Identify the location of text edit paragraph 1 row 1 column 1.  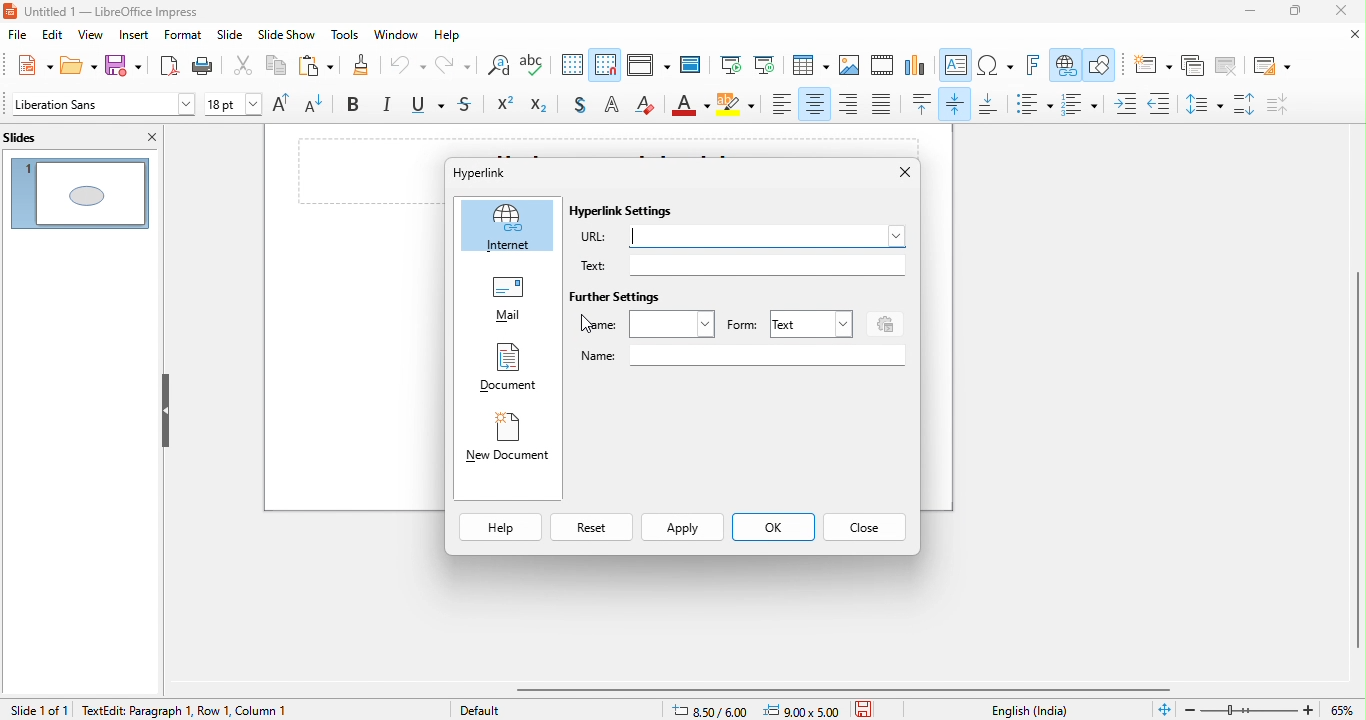
(238, 709).